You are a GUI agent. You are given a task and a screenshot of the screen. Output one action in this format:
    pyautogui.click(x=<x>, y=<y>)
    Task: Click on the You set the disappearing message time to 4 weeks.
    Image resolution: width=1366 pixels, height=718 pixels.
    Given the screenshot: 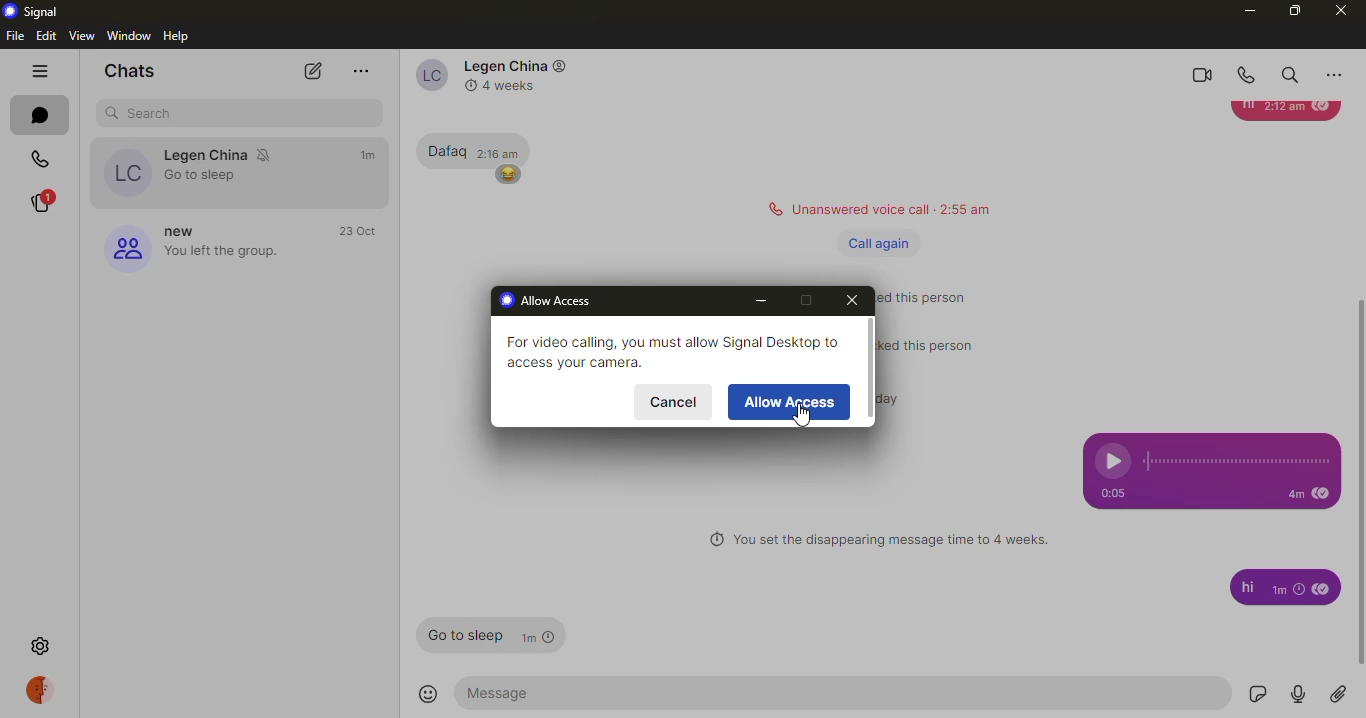 What is the action you would take?
    pyautogui.click(x=892, y=539)
    